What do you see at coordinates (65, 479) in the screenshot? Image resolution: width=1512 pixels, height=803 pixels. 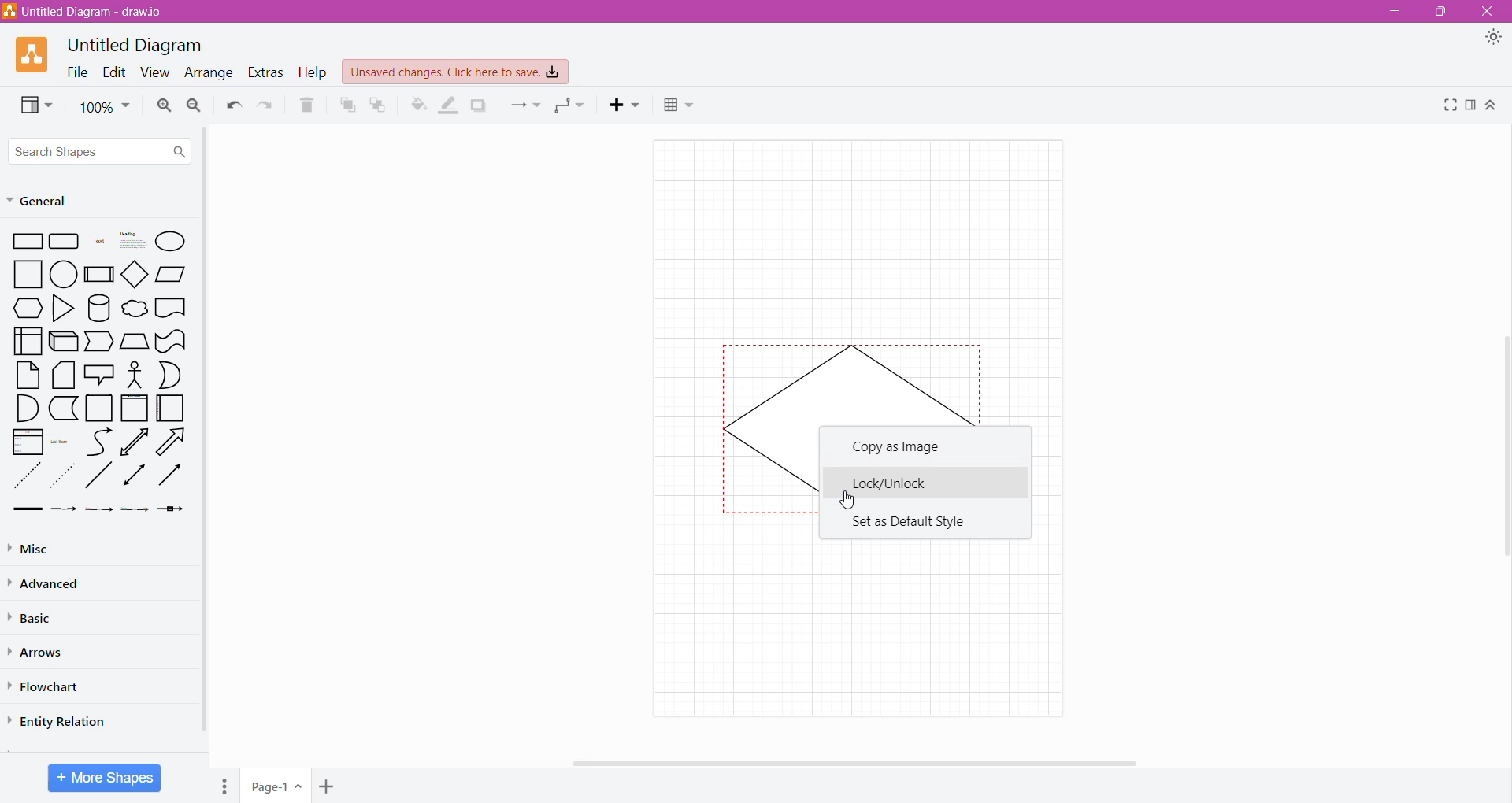 I see `Dotted Line` at bounding box center [65, 479].